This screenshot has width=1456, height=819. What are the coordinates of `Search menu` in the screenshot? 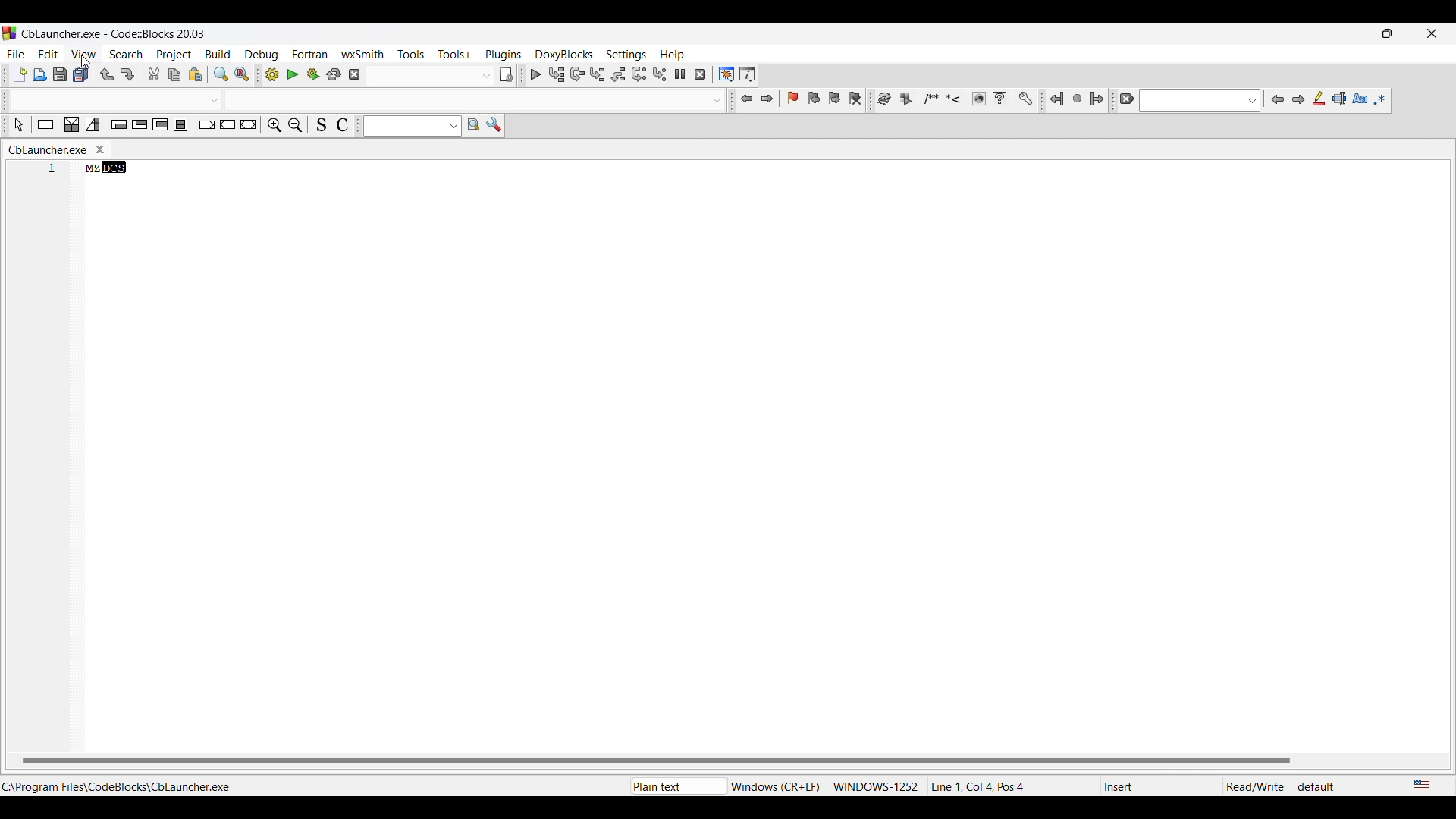 It's located at (127, 54).